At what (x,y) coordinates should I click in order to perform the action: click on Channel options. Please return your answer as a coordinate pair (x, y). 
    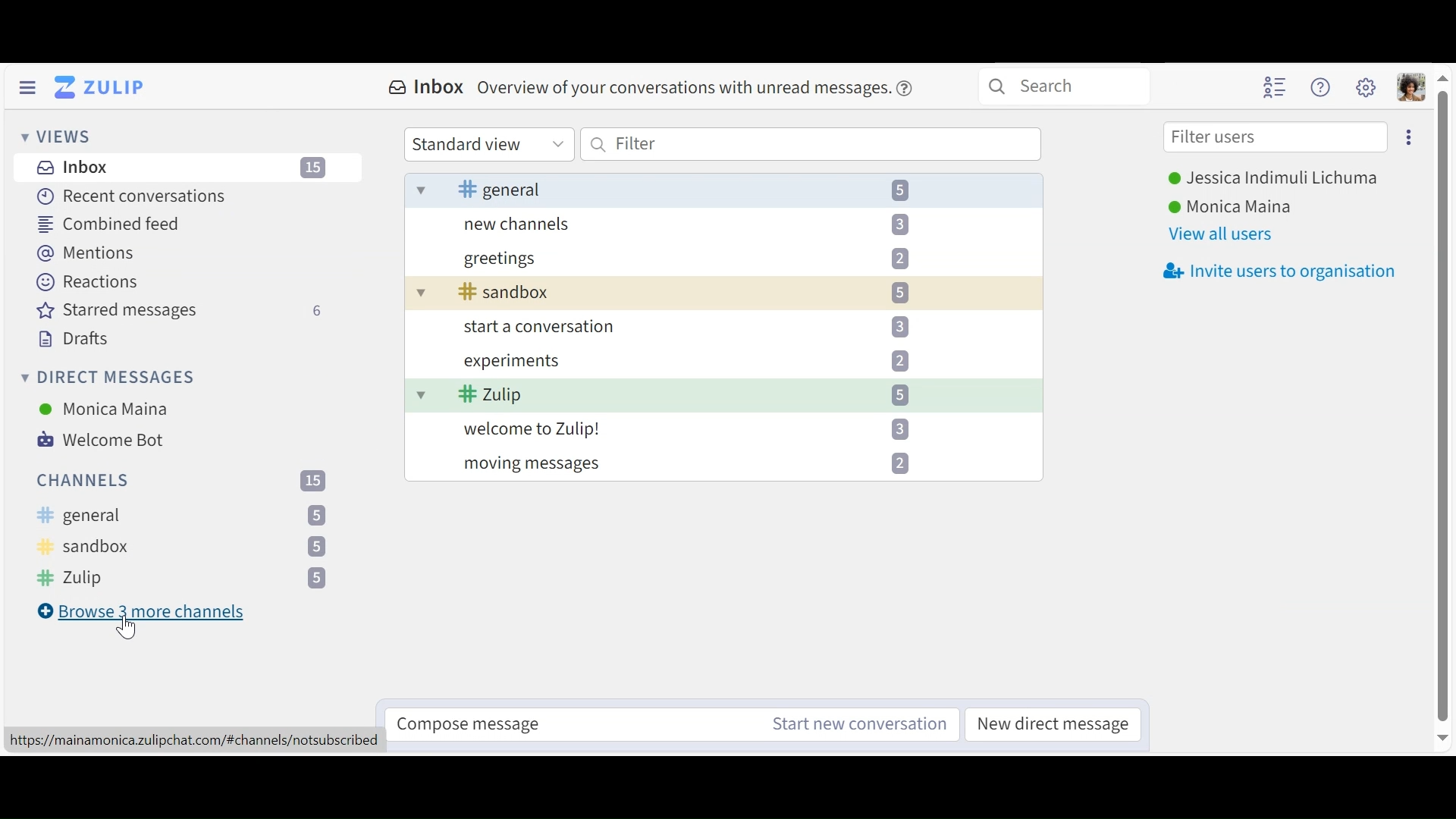
    Looking at the image, I should click on (183, 517).